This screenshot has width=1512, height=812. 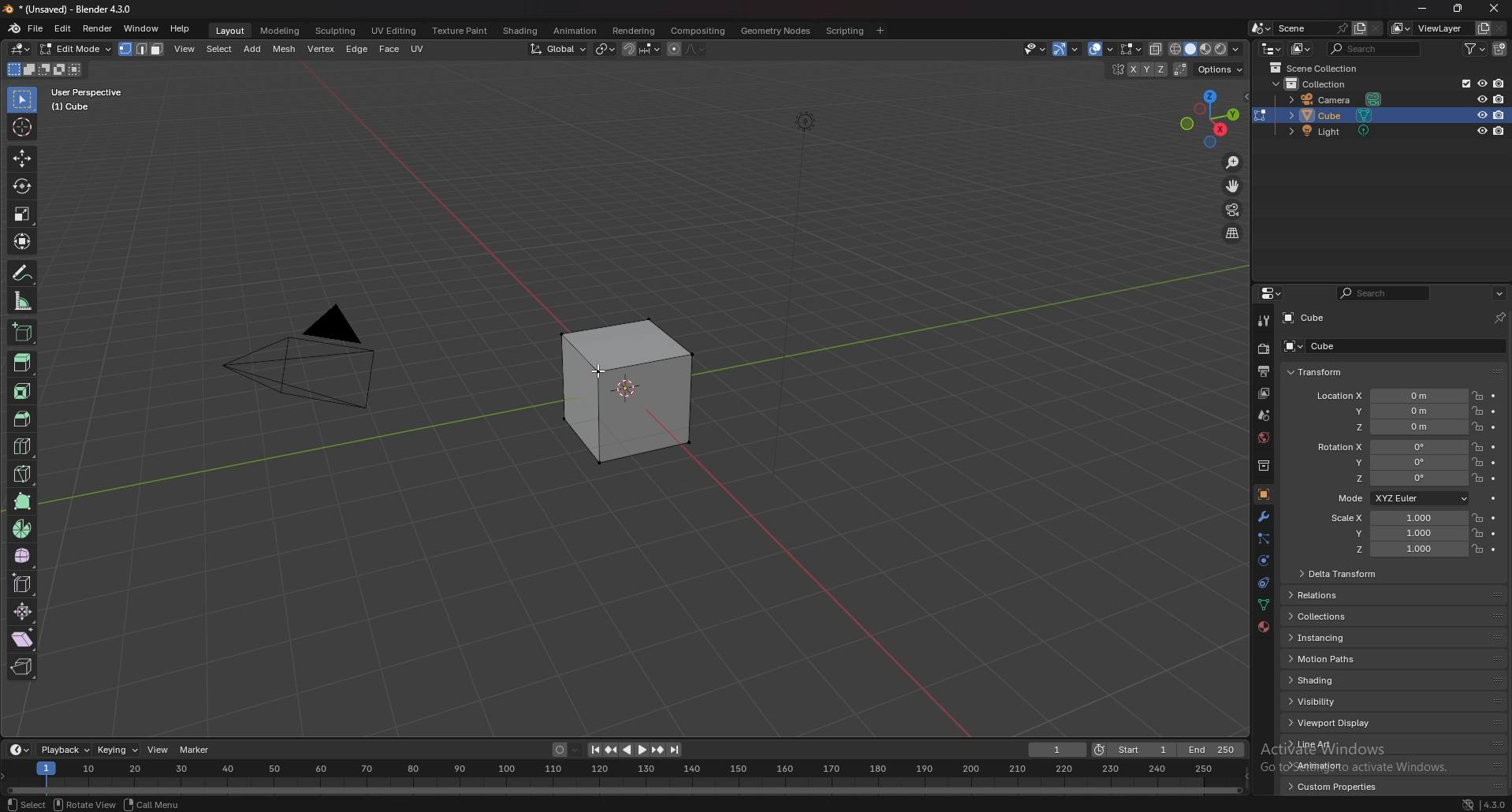 What do you see at coordinates (23, 585) in the screenshot?
I see `edge slide` at bounding box center [23, 585].